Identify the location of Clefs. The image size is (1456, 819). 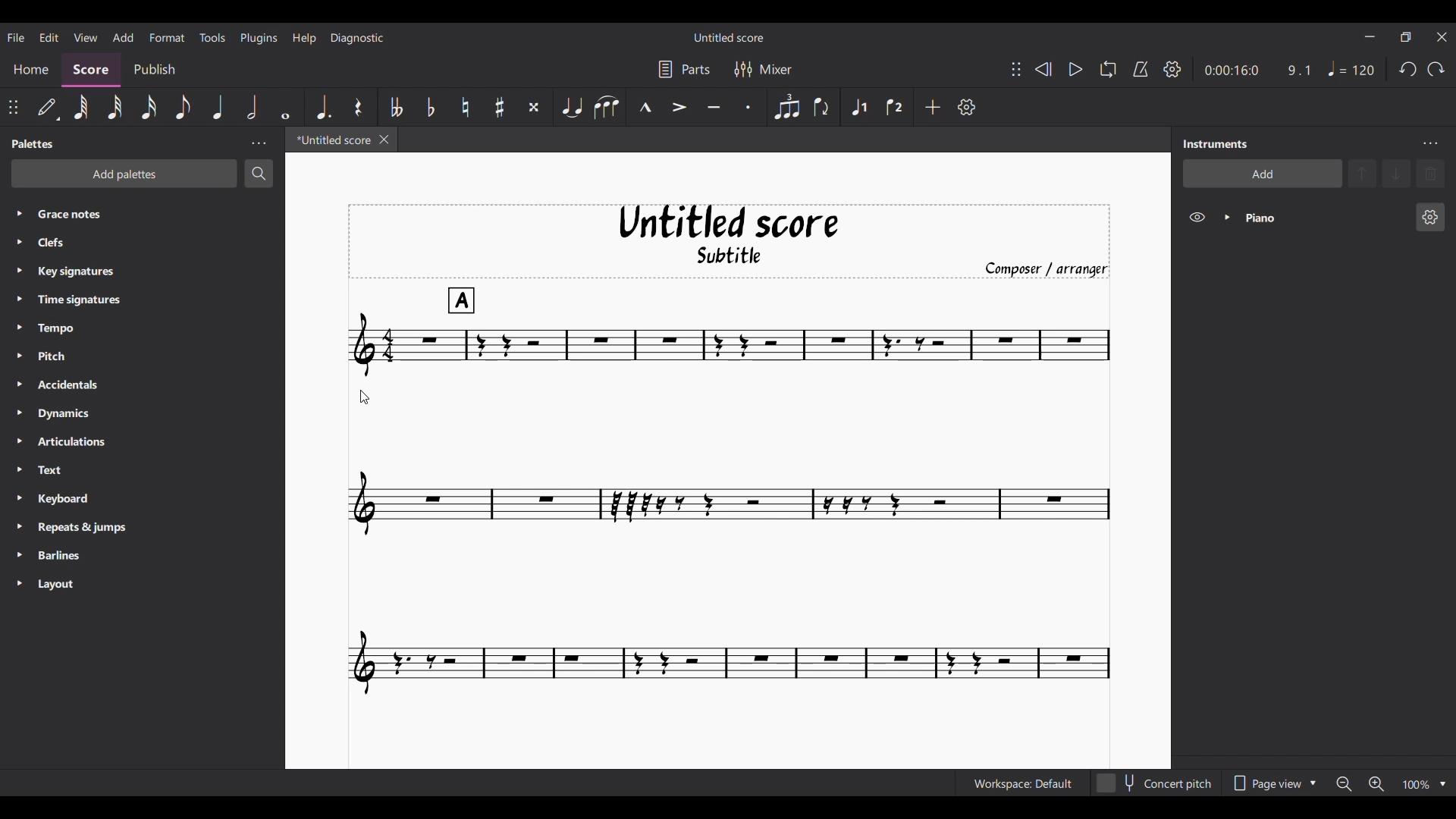
(121, 243).